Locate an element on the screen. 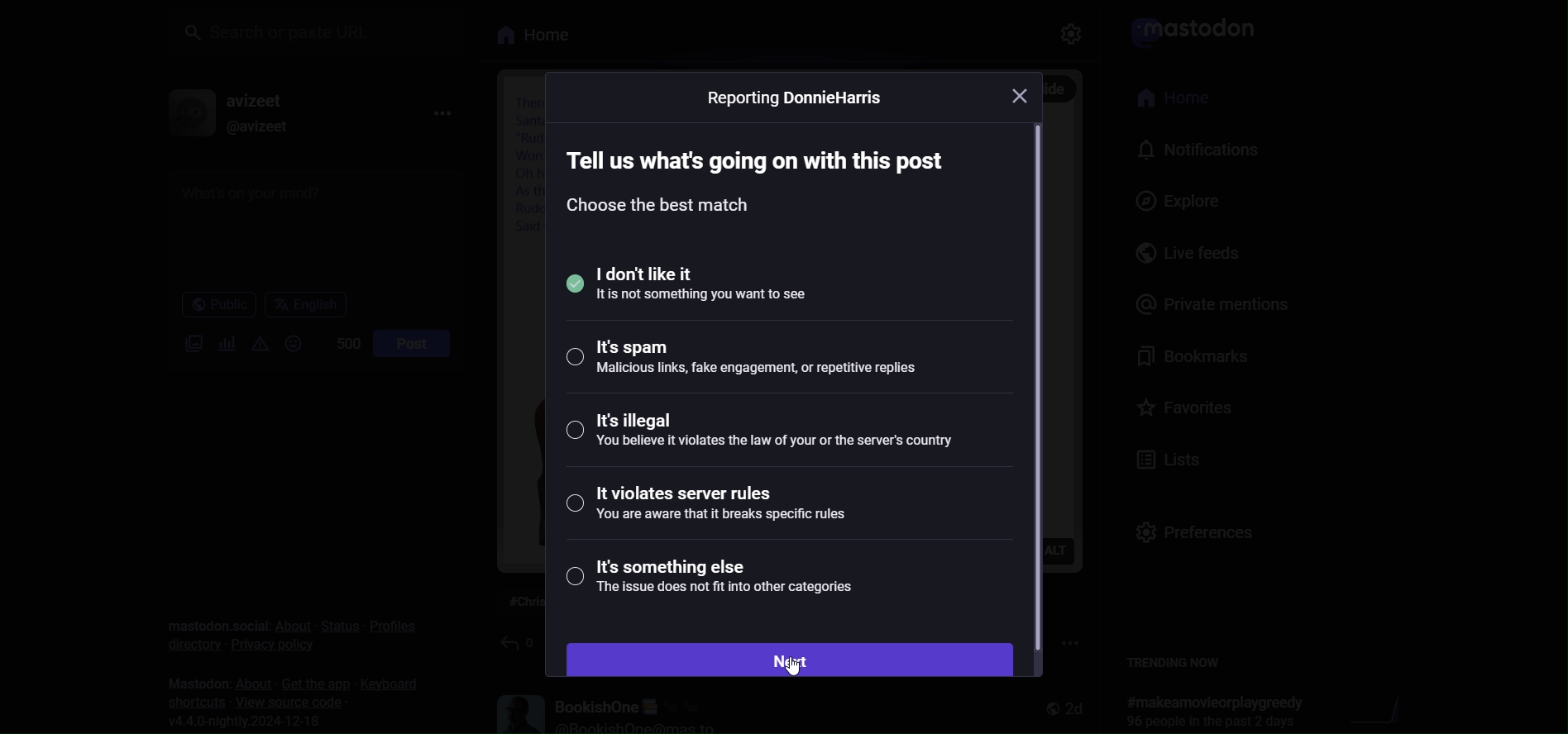 The width and height of the screenshot is (1568, 734). shortcut is located at coordinates (191, 702).